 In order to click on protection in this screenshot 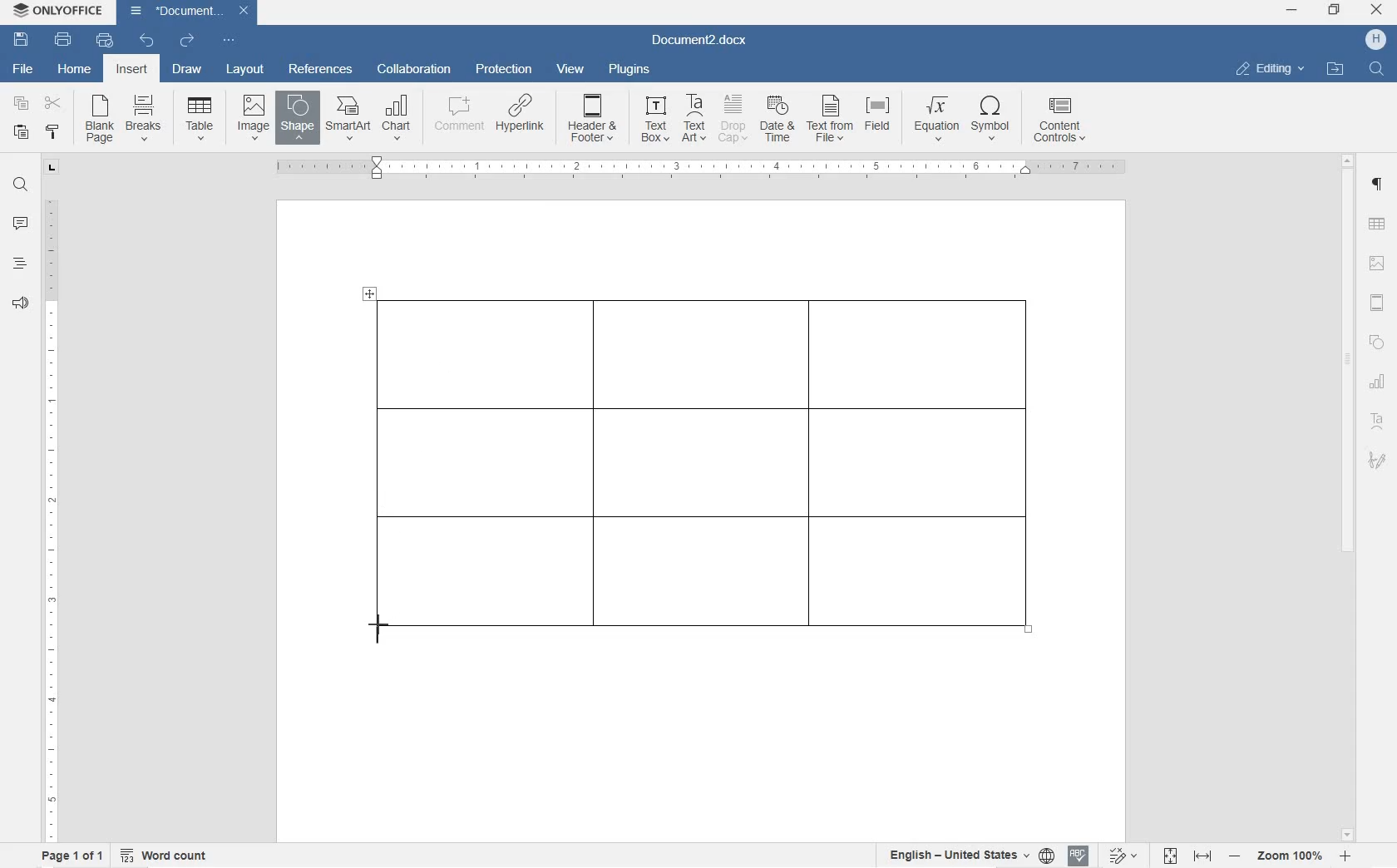, I will do `click(506, 70)`.